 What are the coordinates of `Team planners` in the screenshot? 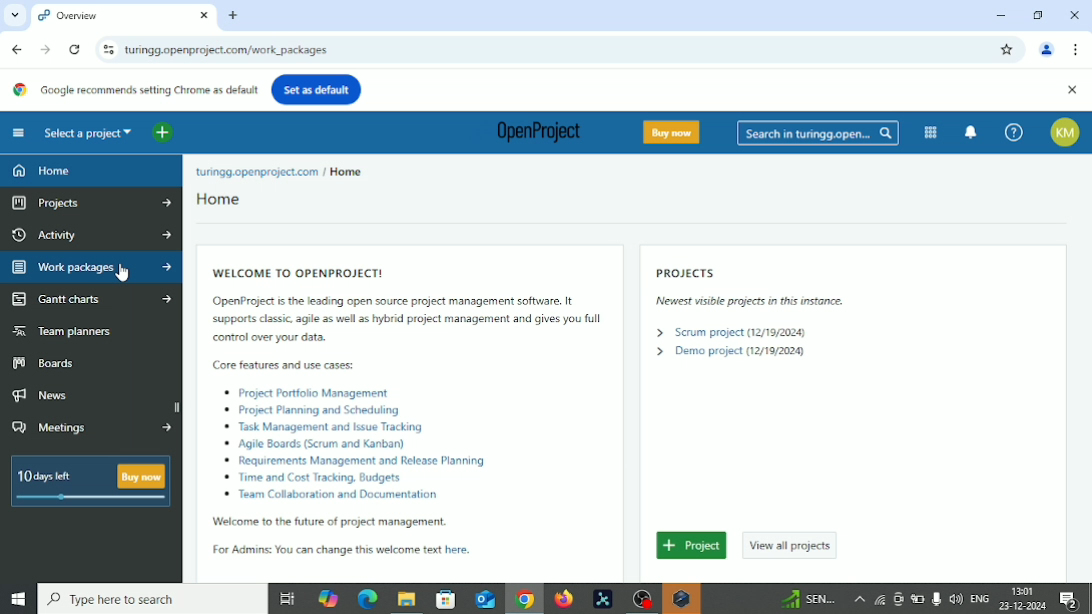 It's located at (63, 330).